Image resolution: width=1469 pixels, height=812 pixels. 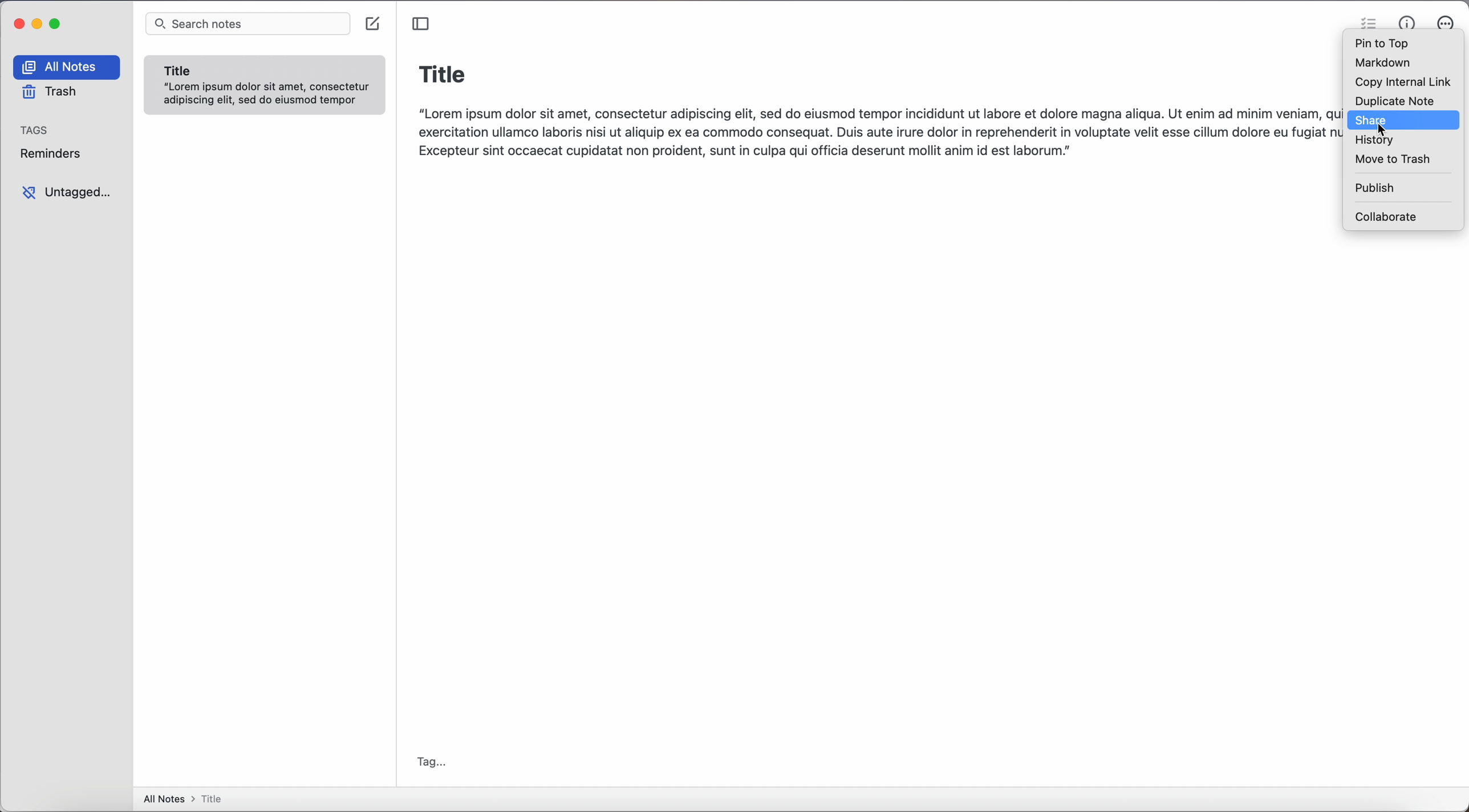 What do you see at coordinates (1407, 21) in the screenshot?
I see `metrics` at bounding box center [1407, 21].